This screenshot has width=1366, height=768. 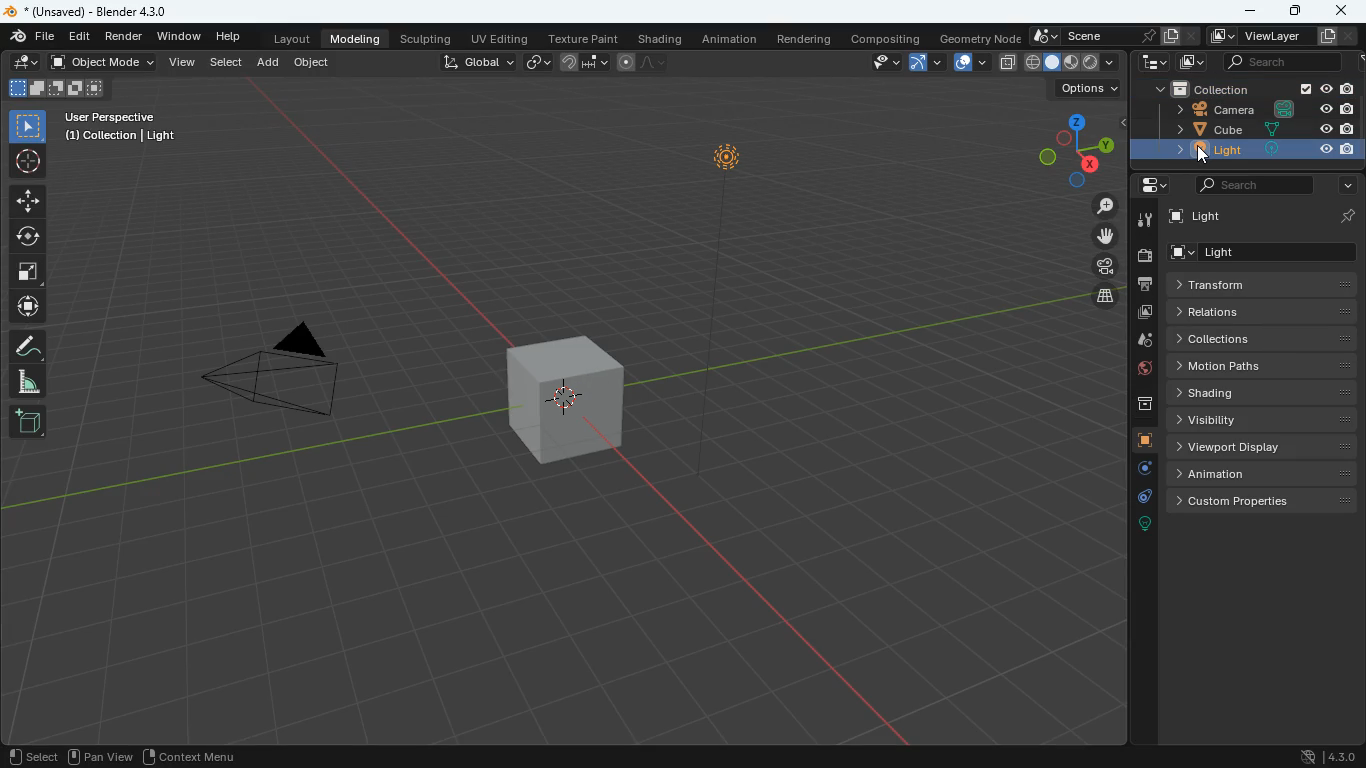 I want to click on view, so click(x=182, y=64).